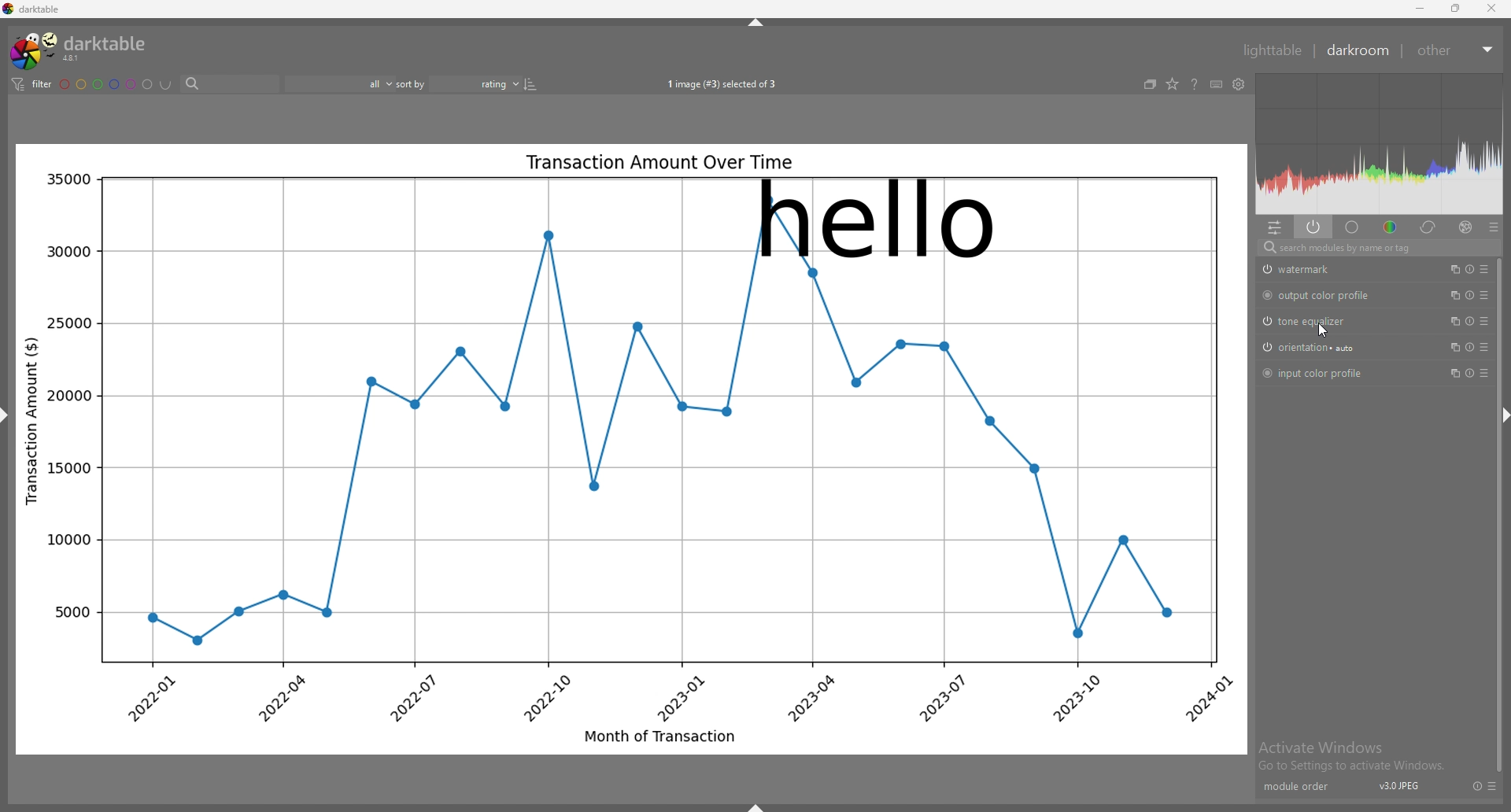 Image resolution: width=1511 pixels, height=812 pixels. I want to click on help, so click(1193, 85).